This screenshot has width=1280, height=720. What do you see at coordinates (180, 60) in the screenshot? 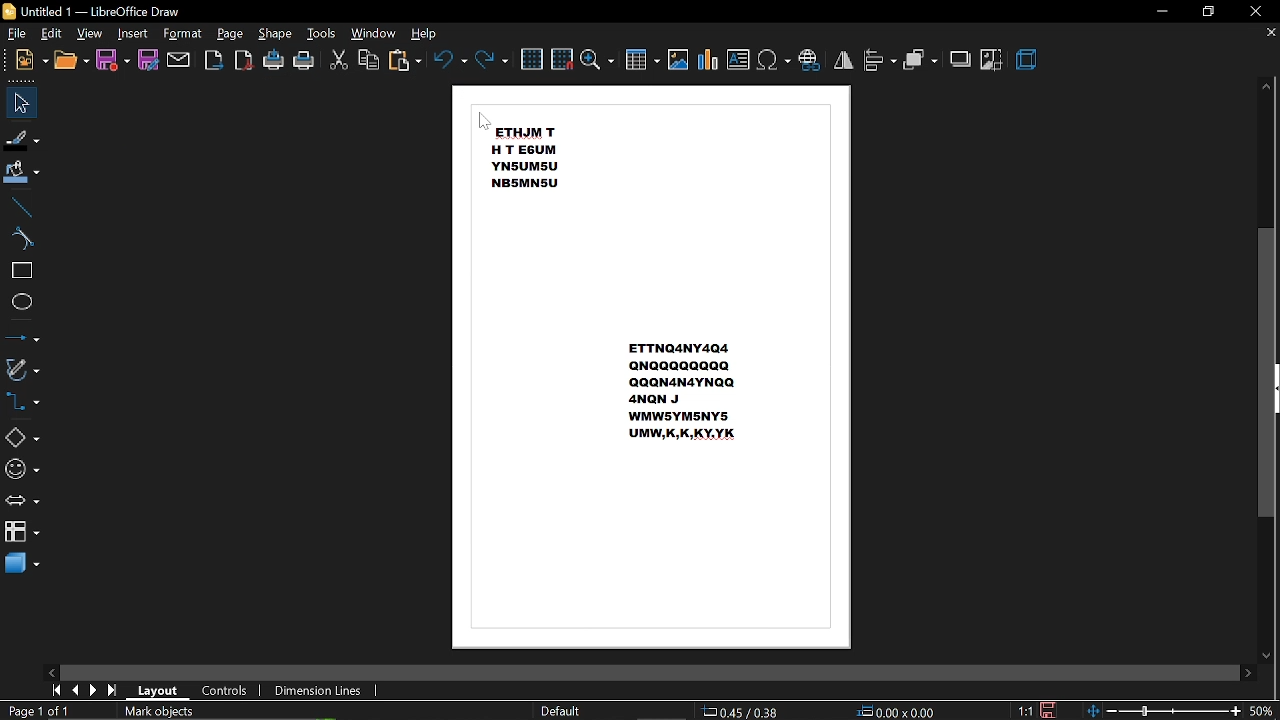
I see `attach` at bounding box center [180, 60].